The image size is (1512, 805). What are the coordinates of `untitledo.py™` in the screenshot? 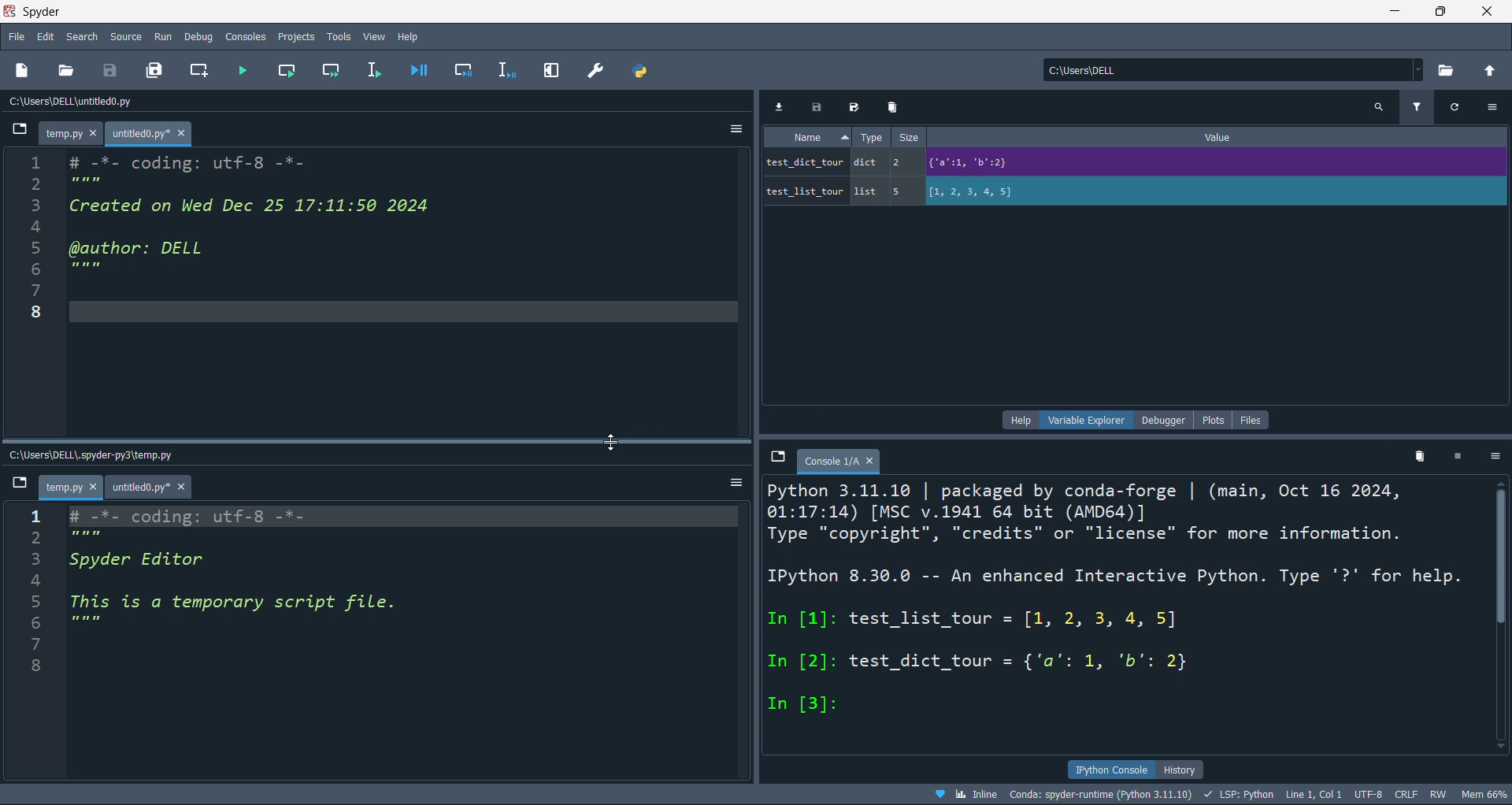 It's located at (158, 133).